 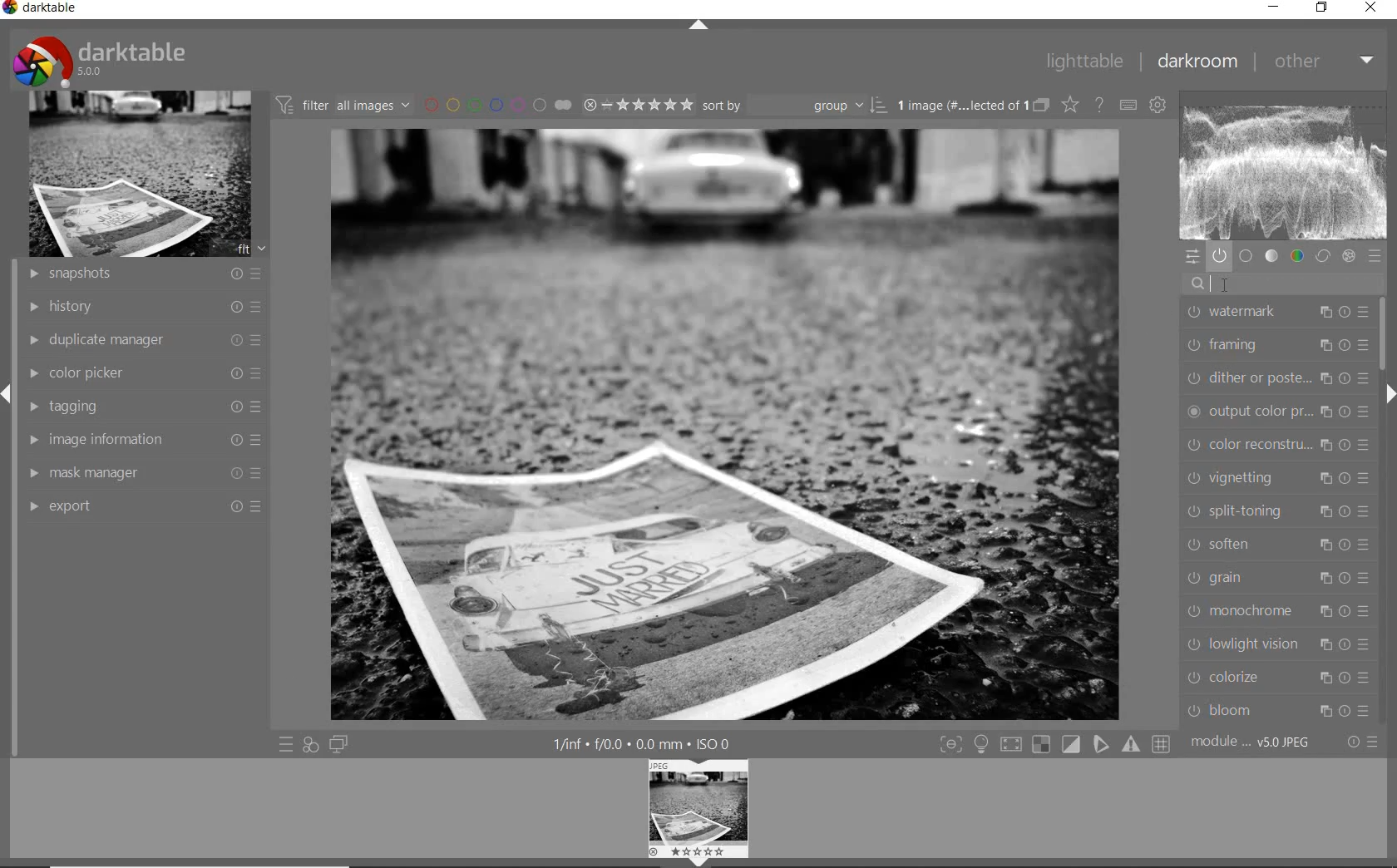 I want to click on base, so click(x=1246, y=257).